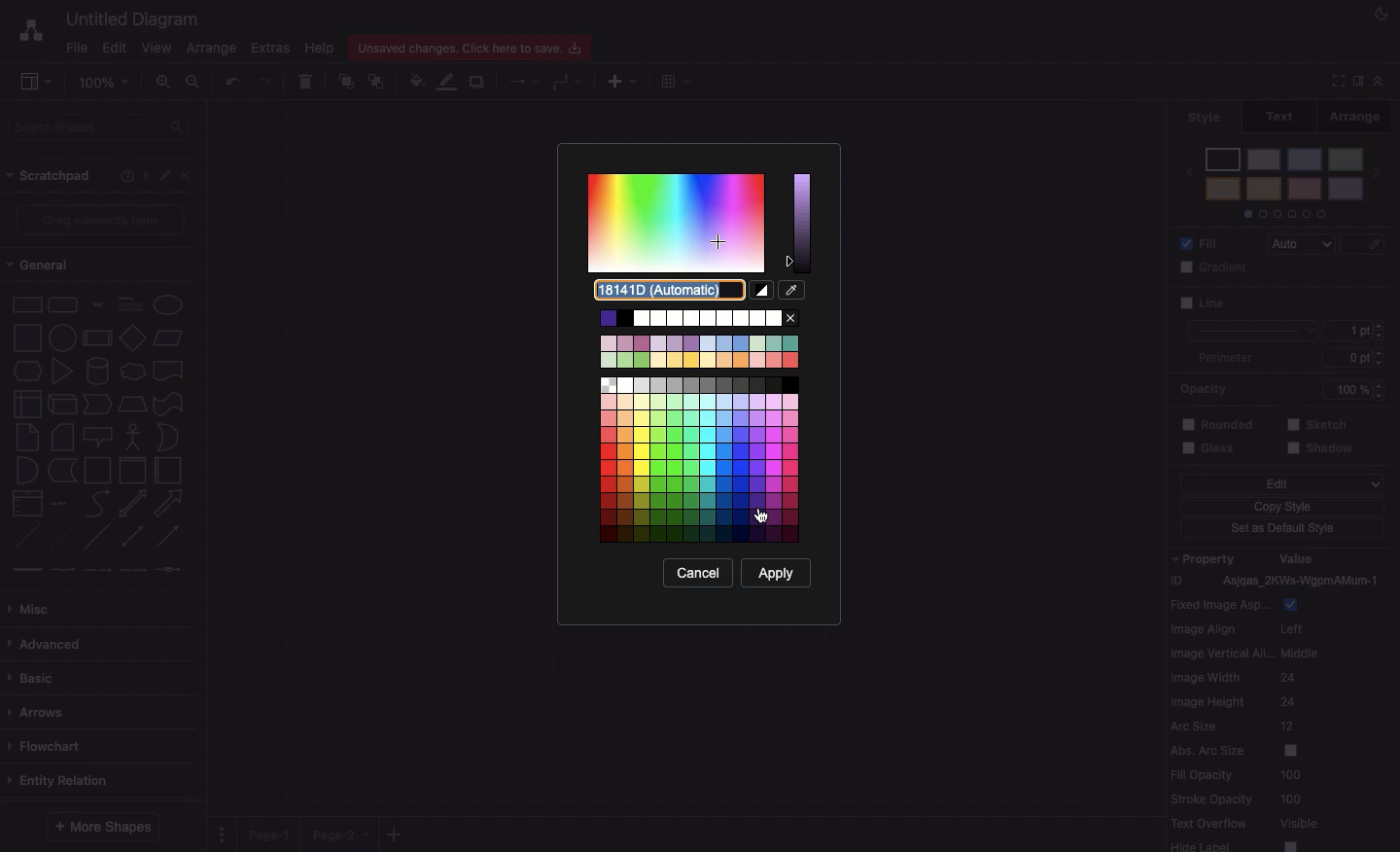 This screenshot has height=852, width=1400. Describe the element at coordinates (266, 80) in the screenshot. I see `Redo` at that location.